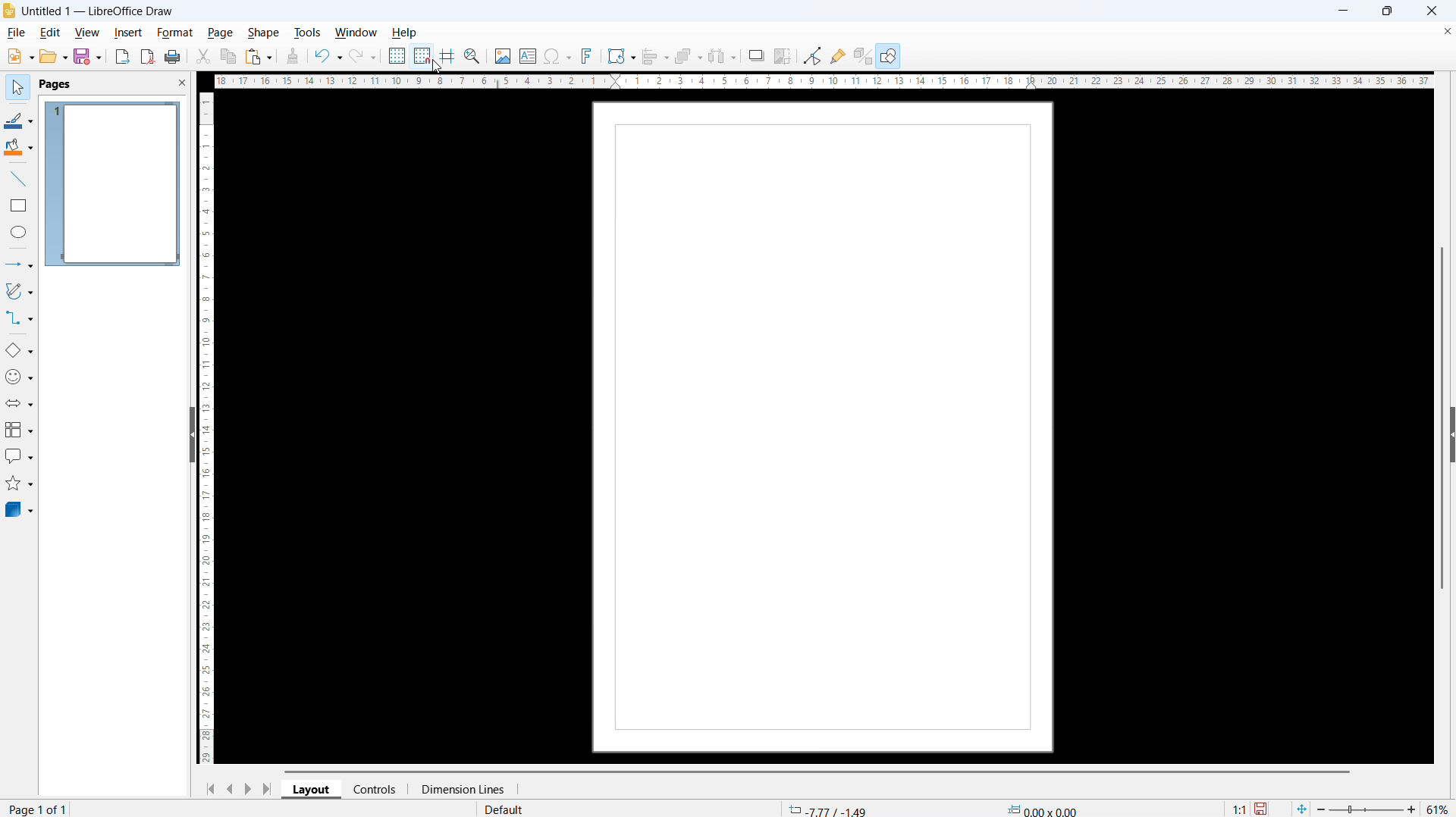  What do you see at coordinates (56, 83) in the screenshot?
I see `pages` at bounding box center [56, 83].